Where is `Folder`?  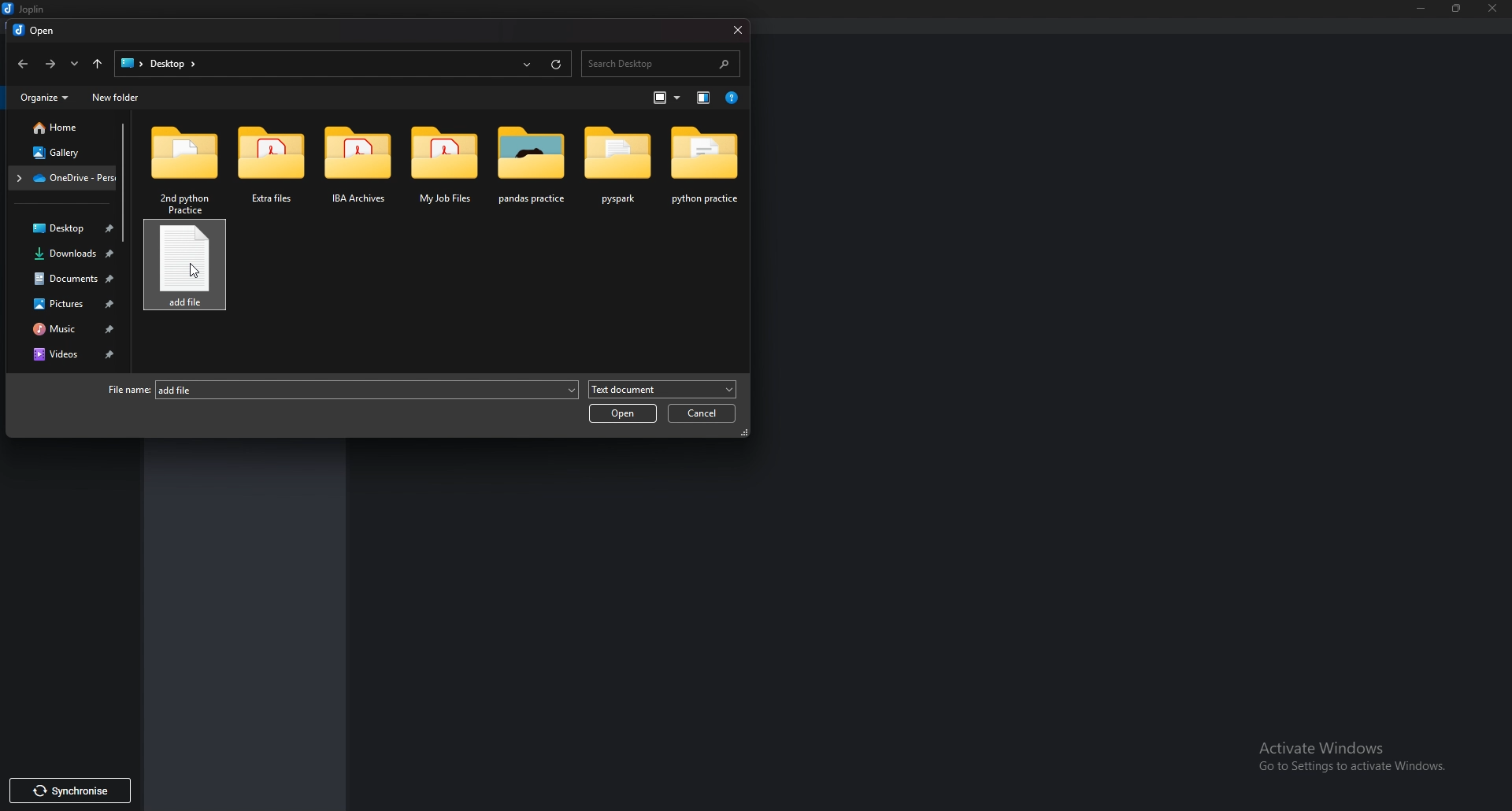
Folder is located at coordinates (528, 168).